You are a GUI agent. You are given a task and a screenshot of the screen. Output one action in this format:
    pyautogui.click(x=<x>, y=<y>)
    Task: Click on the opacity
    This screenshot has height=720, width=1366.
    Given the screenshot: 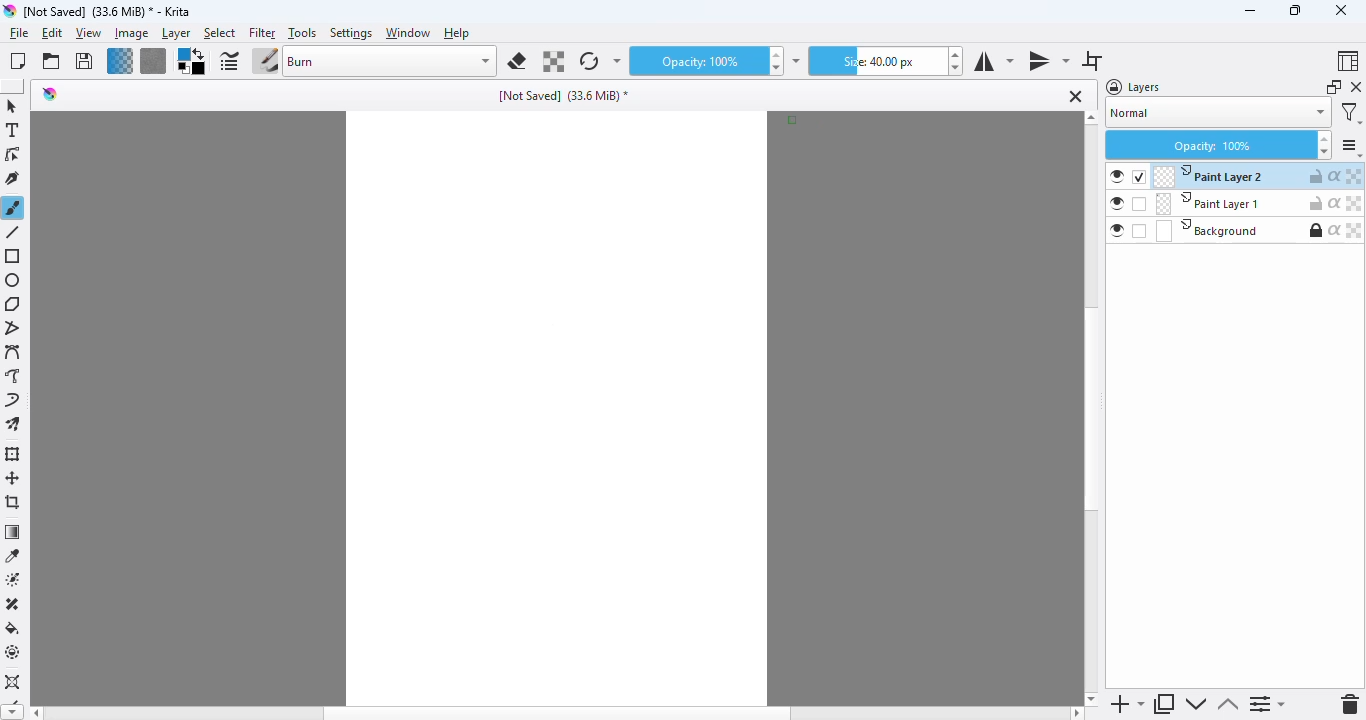 What is the action you would take?
    pyautogui.click(x=695, y=62)
    